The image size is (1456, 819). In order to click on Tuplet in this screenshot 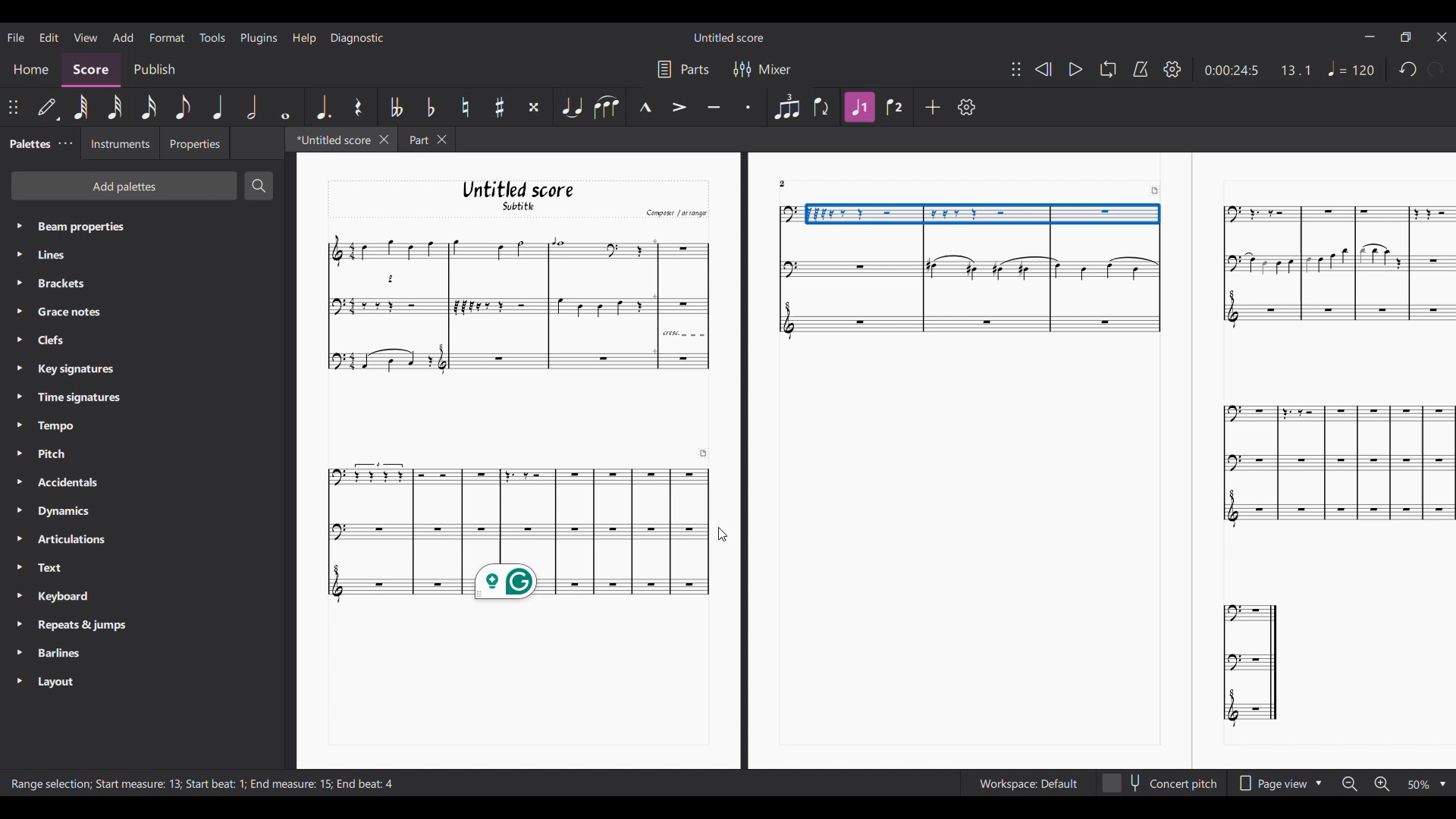, I will do `click(786, 106)`.